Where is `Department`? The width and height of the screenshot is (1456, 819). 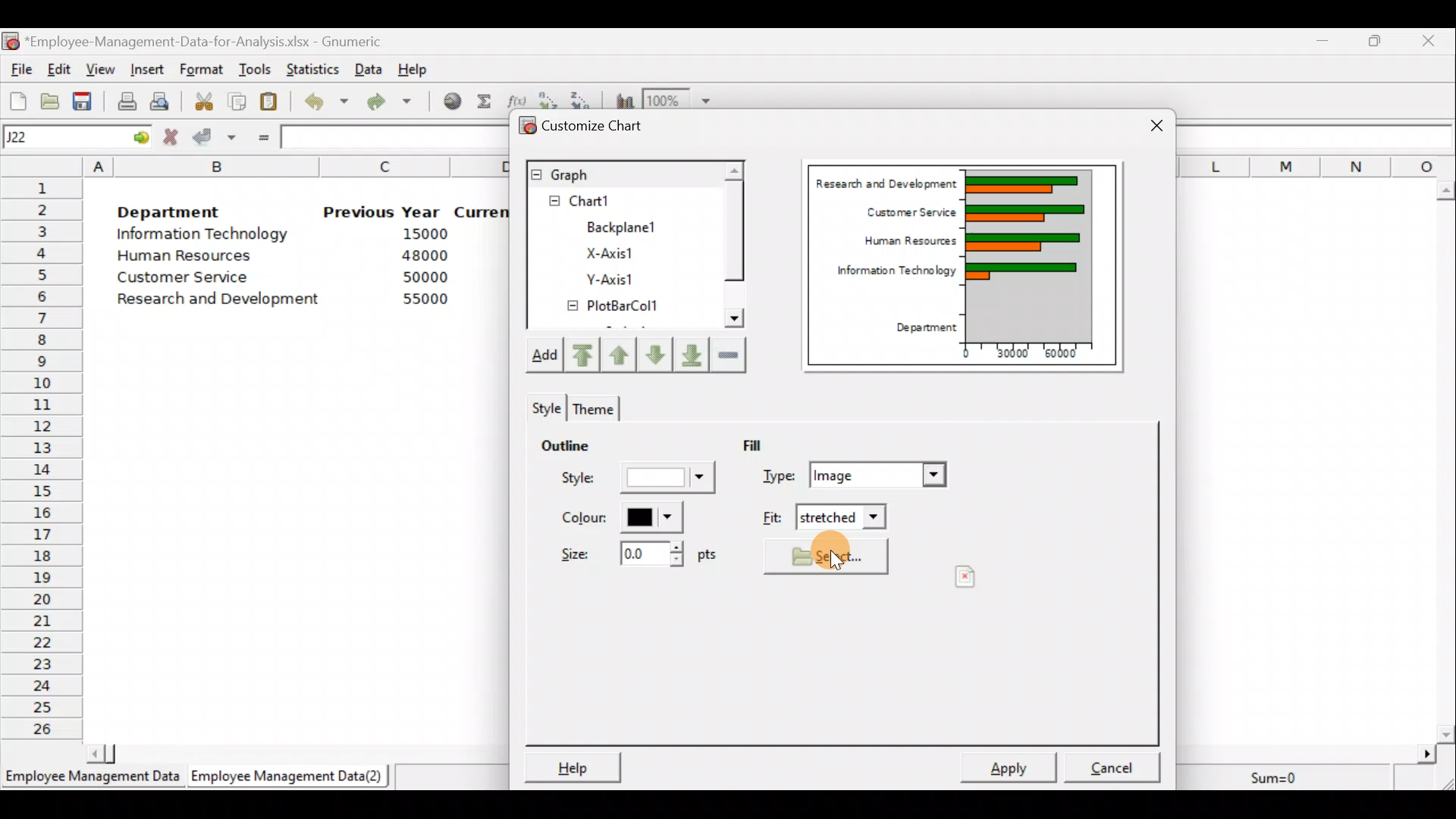 Department is located at coordinates (905, 331).